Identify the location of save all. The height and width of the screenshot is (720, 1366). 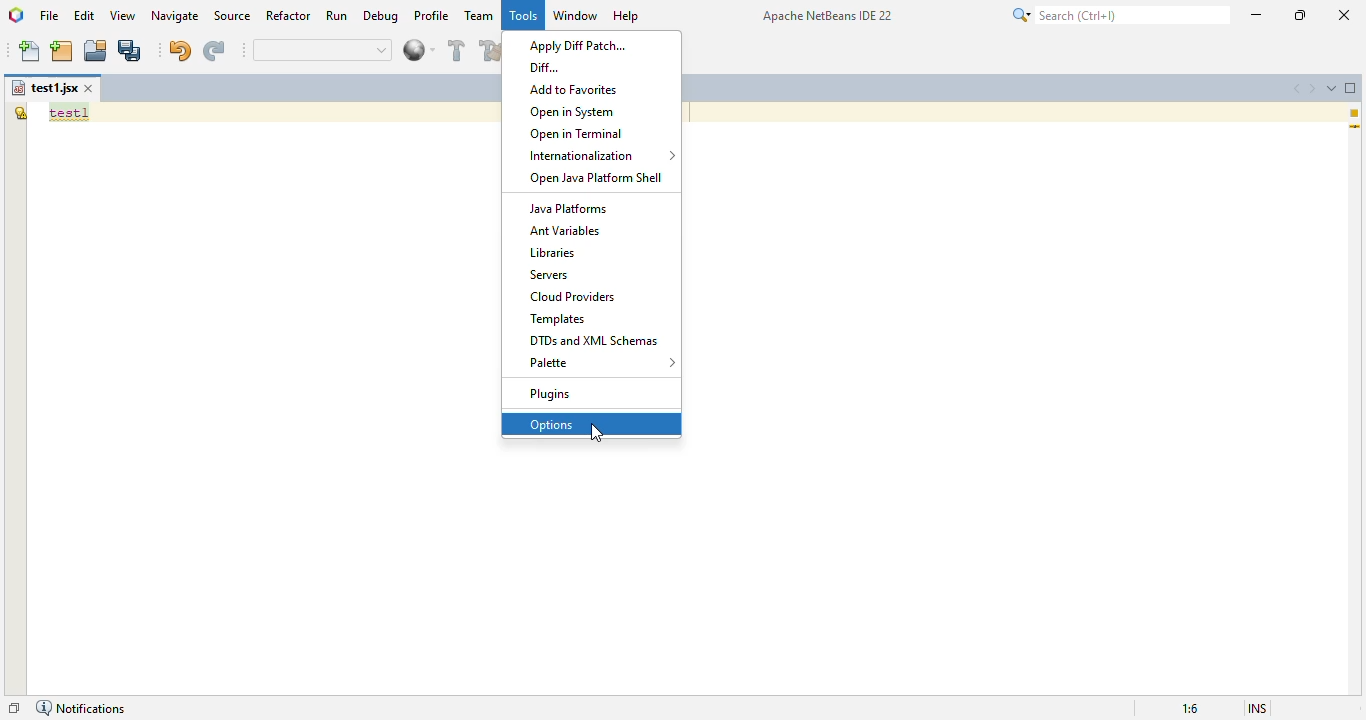
(131, 50).